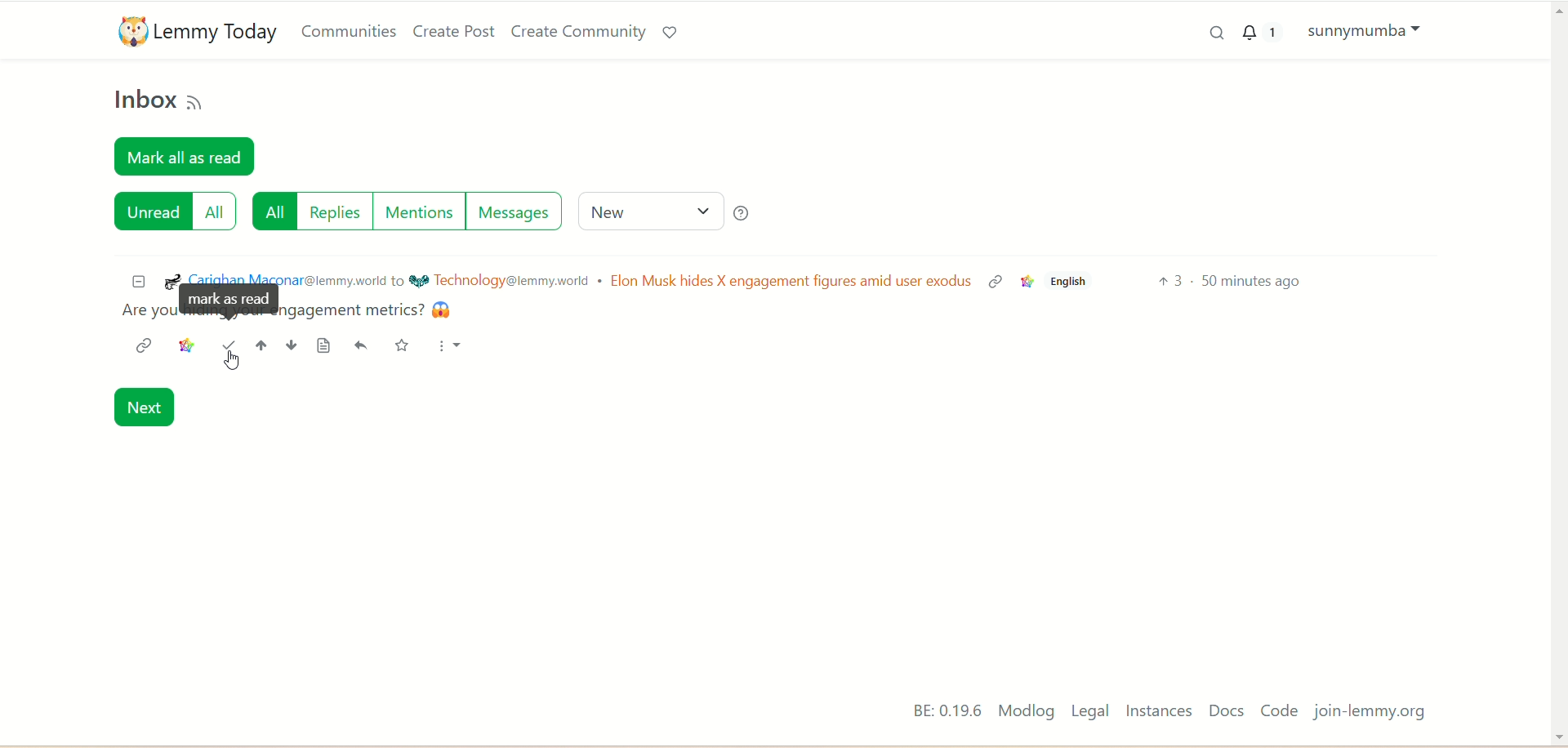 This screenshot has height=748, width=1568. Describe the element at coordinates (236, 362) in the screenshot. I see `pointer (clicked)` at that location.